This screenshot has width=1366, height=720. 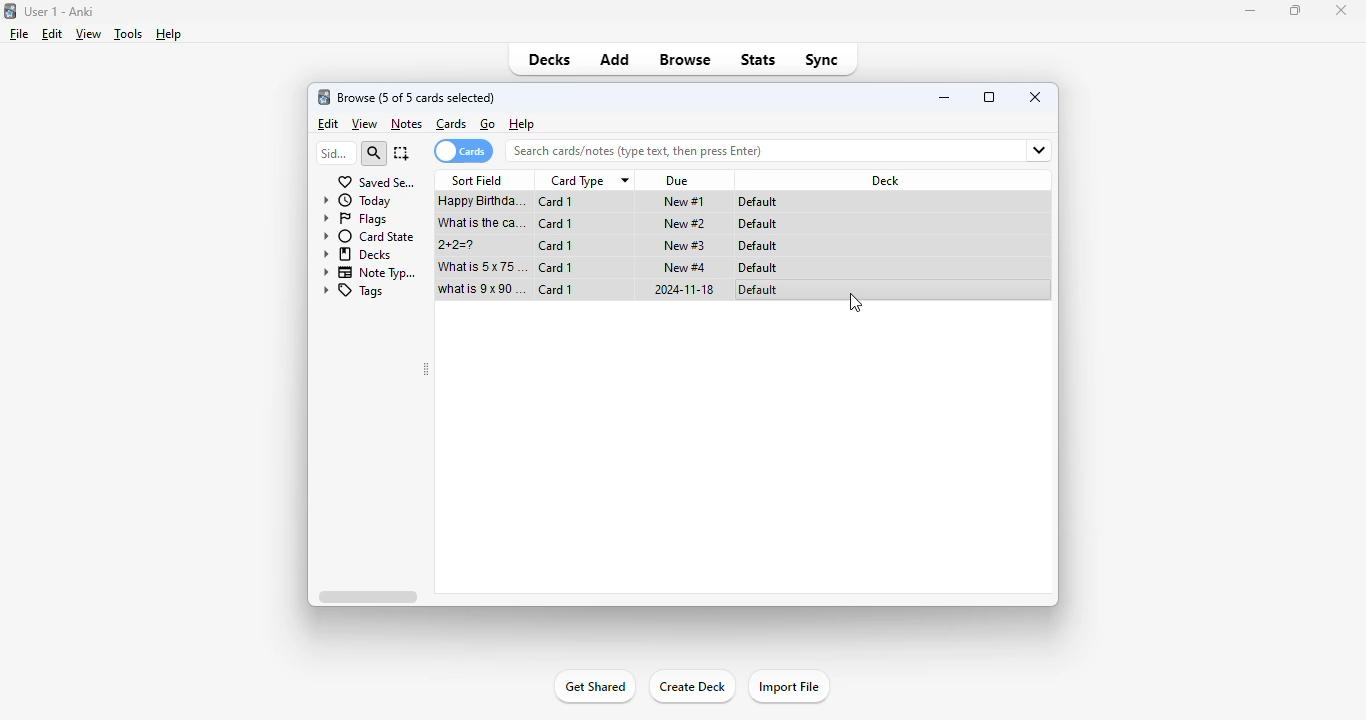 I want to click on select, so click(x=402, y=153).